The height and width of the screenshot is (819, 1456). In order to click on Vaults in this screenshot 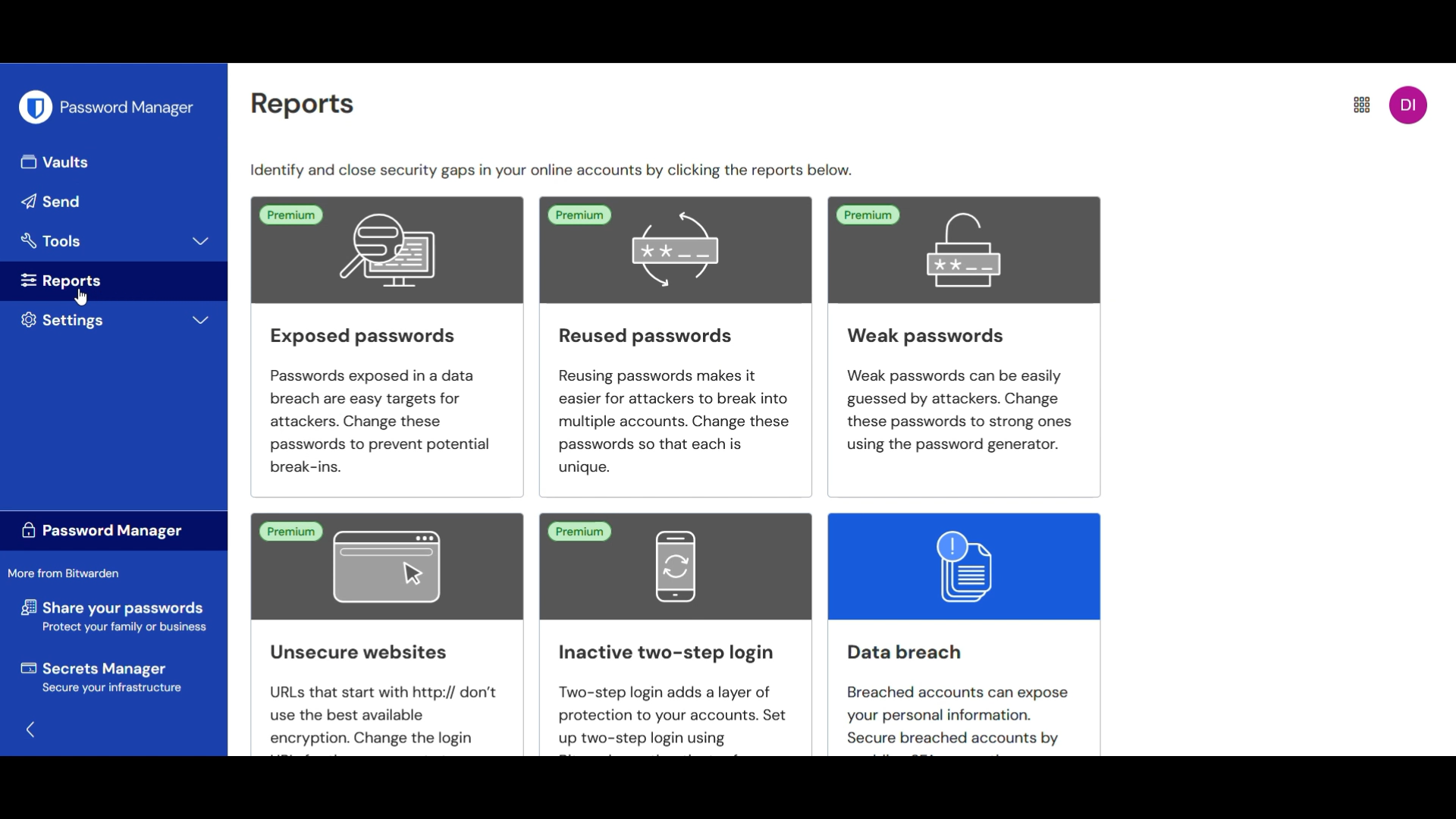, I will do `click(114, 163)`.